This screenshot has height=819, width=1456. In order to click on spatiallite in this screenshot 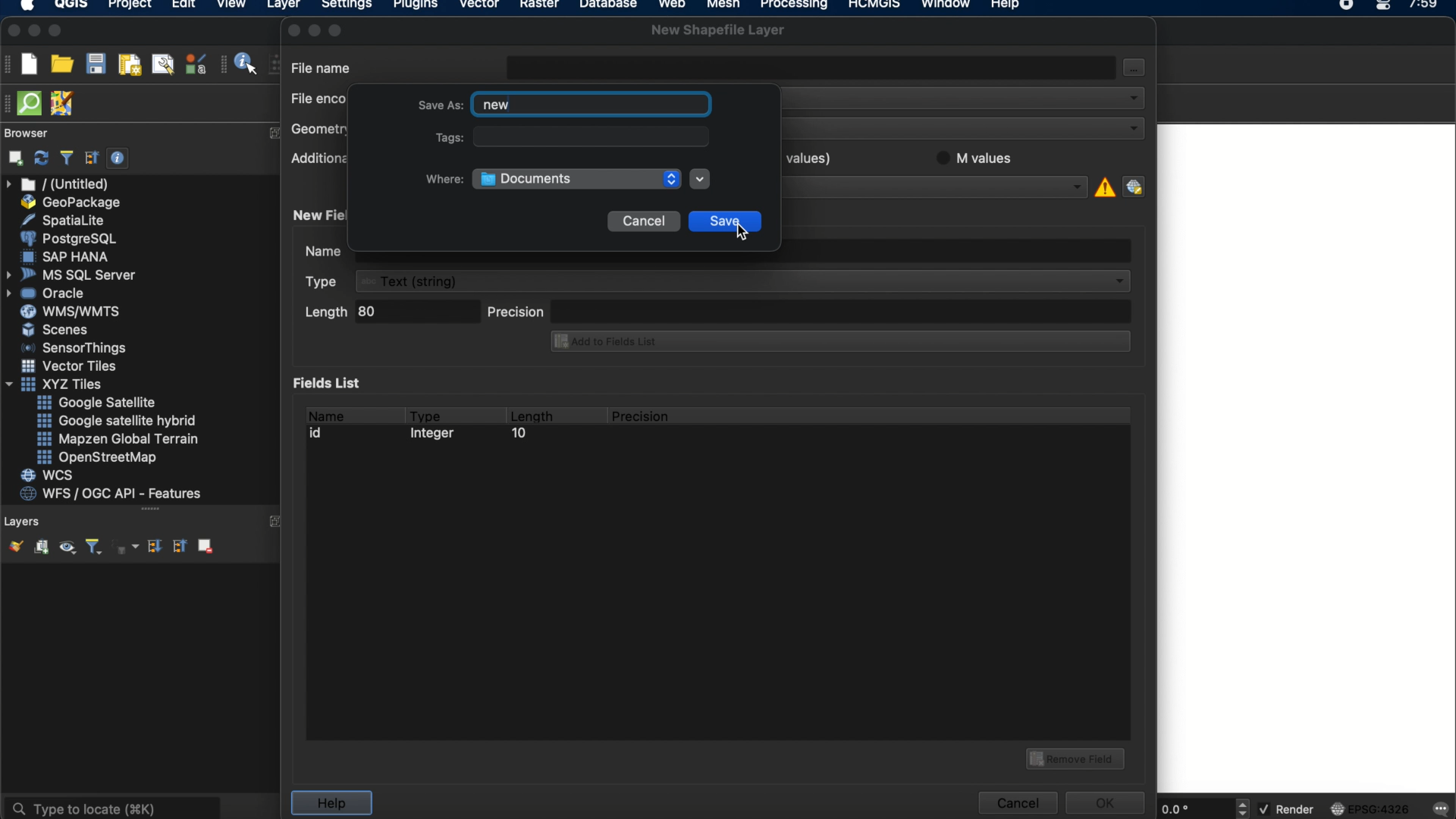, I will do `click(66, 220)`.